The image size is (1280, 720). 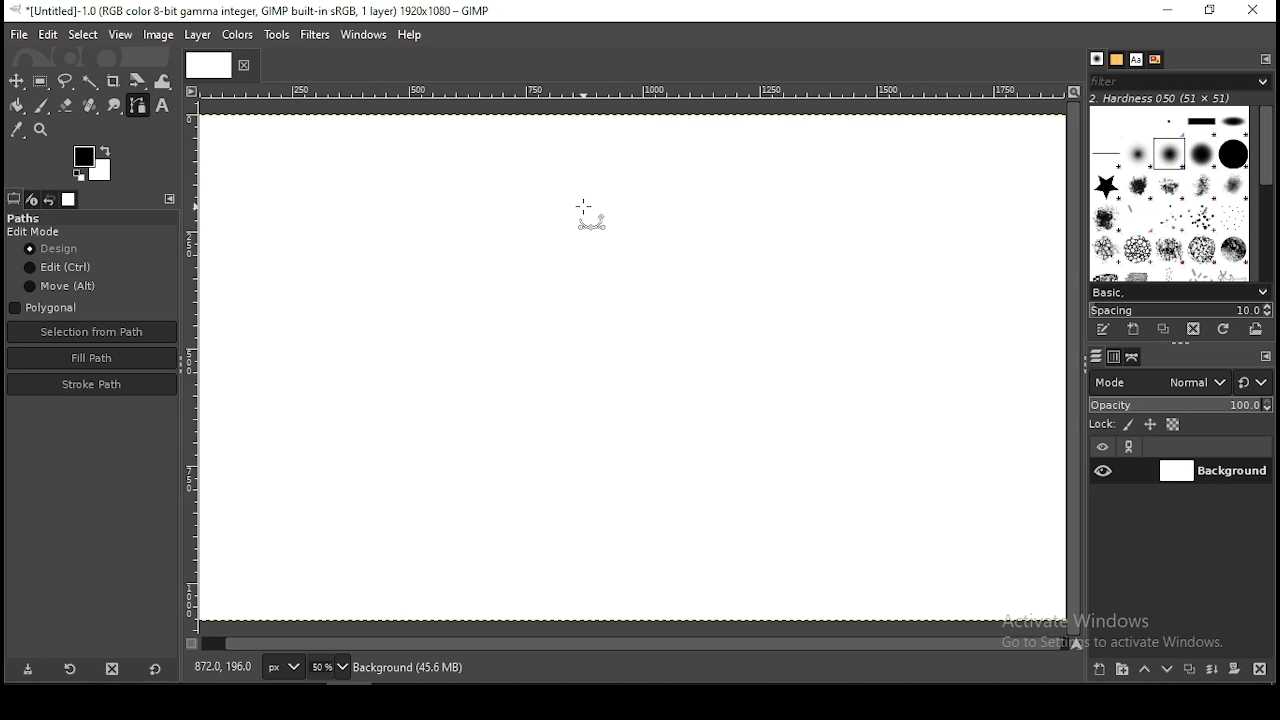 I want to click on help, so click(x=412, y=33).